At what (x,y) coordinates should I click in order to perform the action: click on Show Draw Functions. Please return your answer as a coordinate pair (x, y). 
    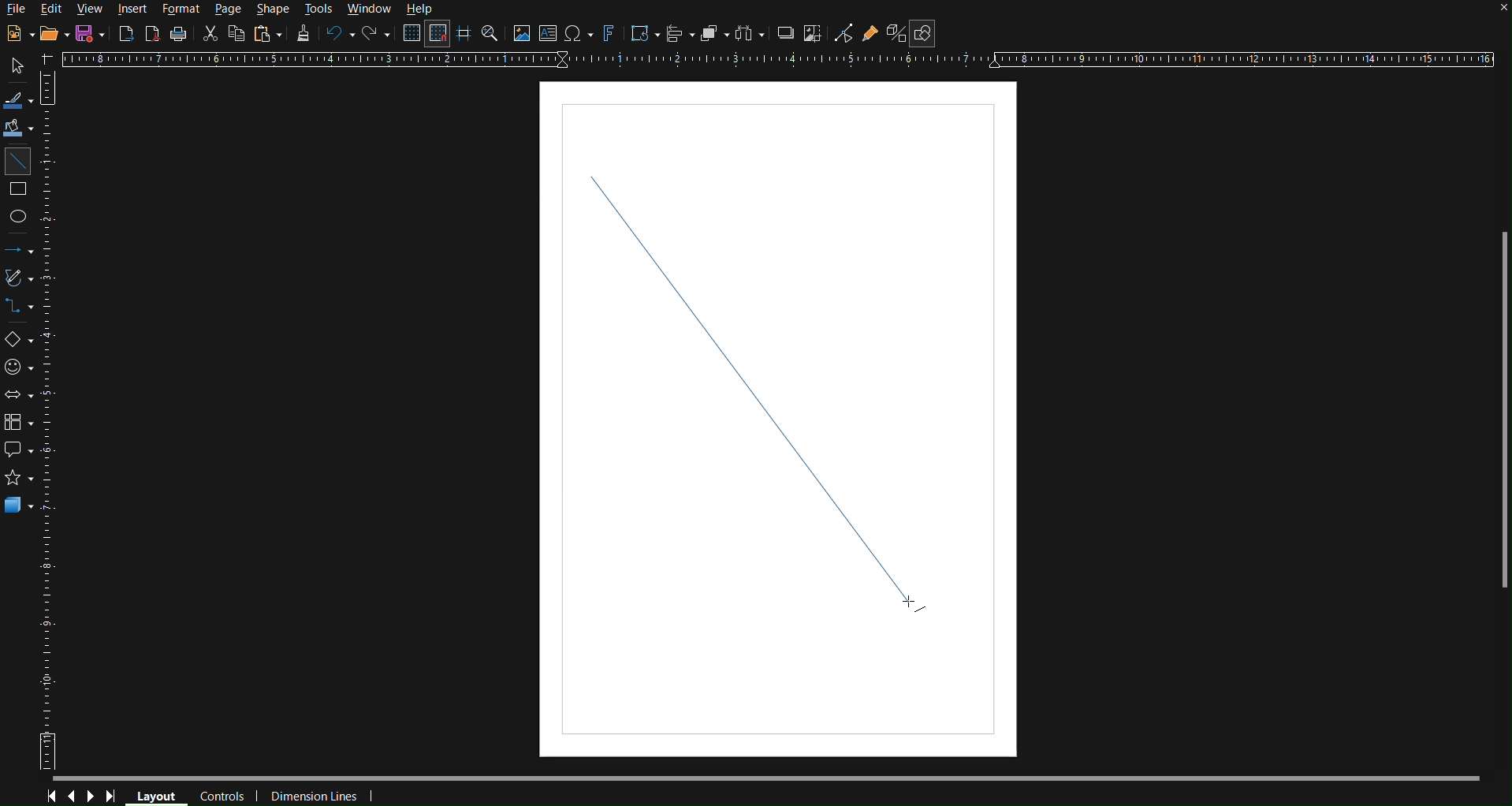
    Looking at the image, I should click on (923, 33).